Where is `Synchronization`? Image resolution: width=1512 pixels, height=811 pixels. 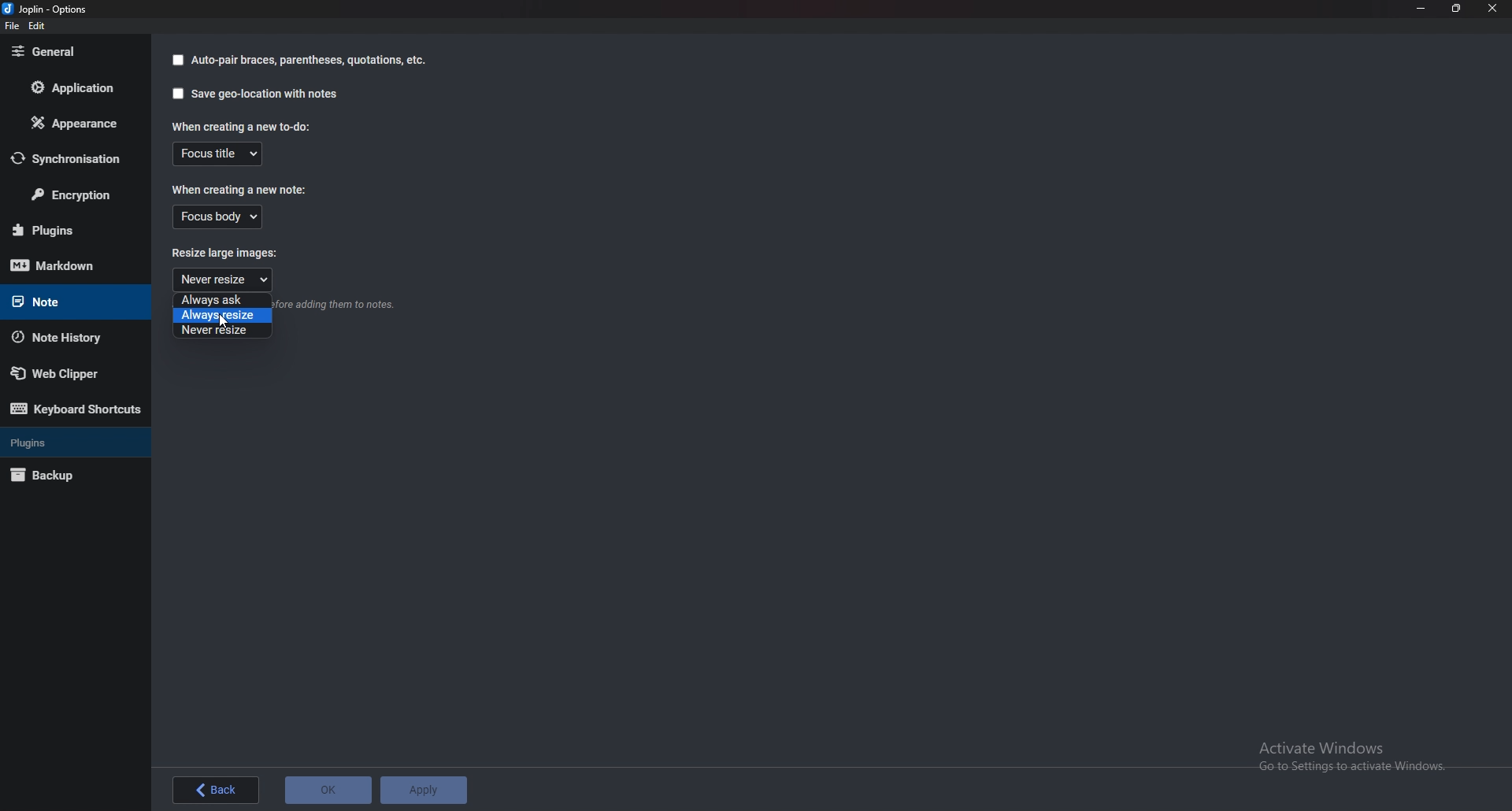
Synchronization is located at coordinates (68, 158).